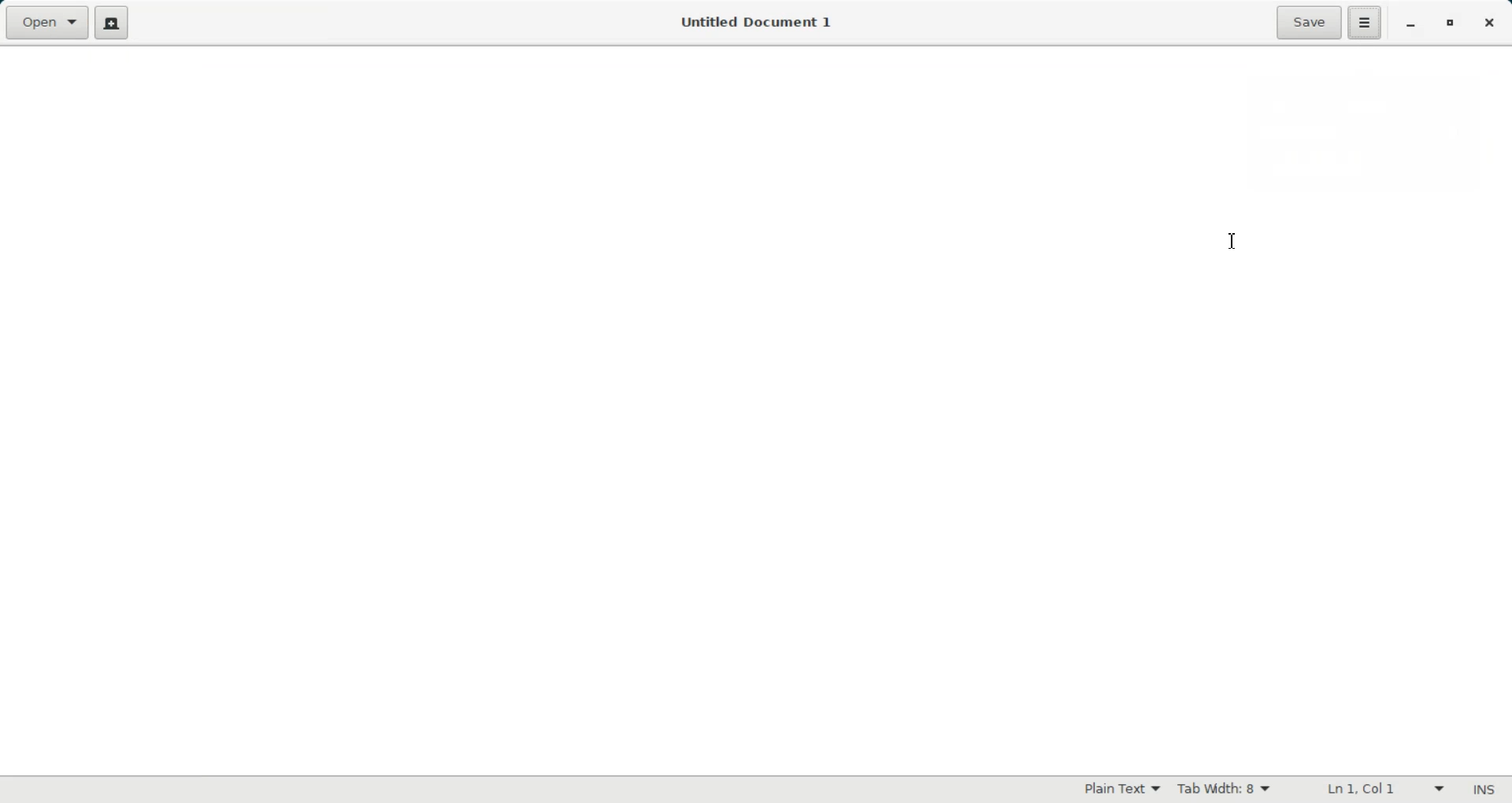 This screenshot has height=803, width=1512. I want to click on Tab width , so click(1222, 789).